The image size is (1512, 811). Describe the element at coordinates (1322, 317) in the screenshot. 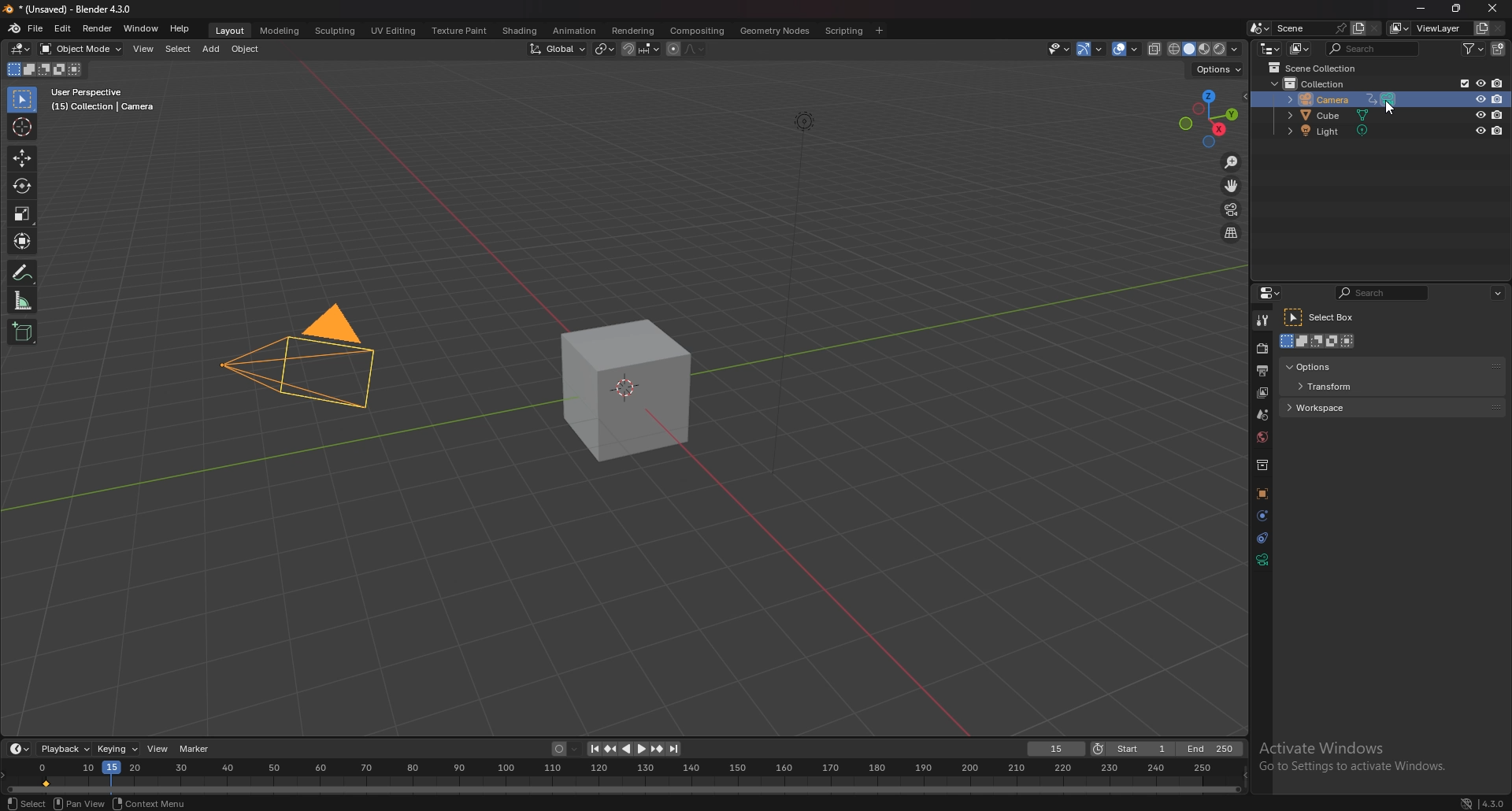

I see `select box` at that location.